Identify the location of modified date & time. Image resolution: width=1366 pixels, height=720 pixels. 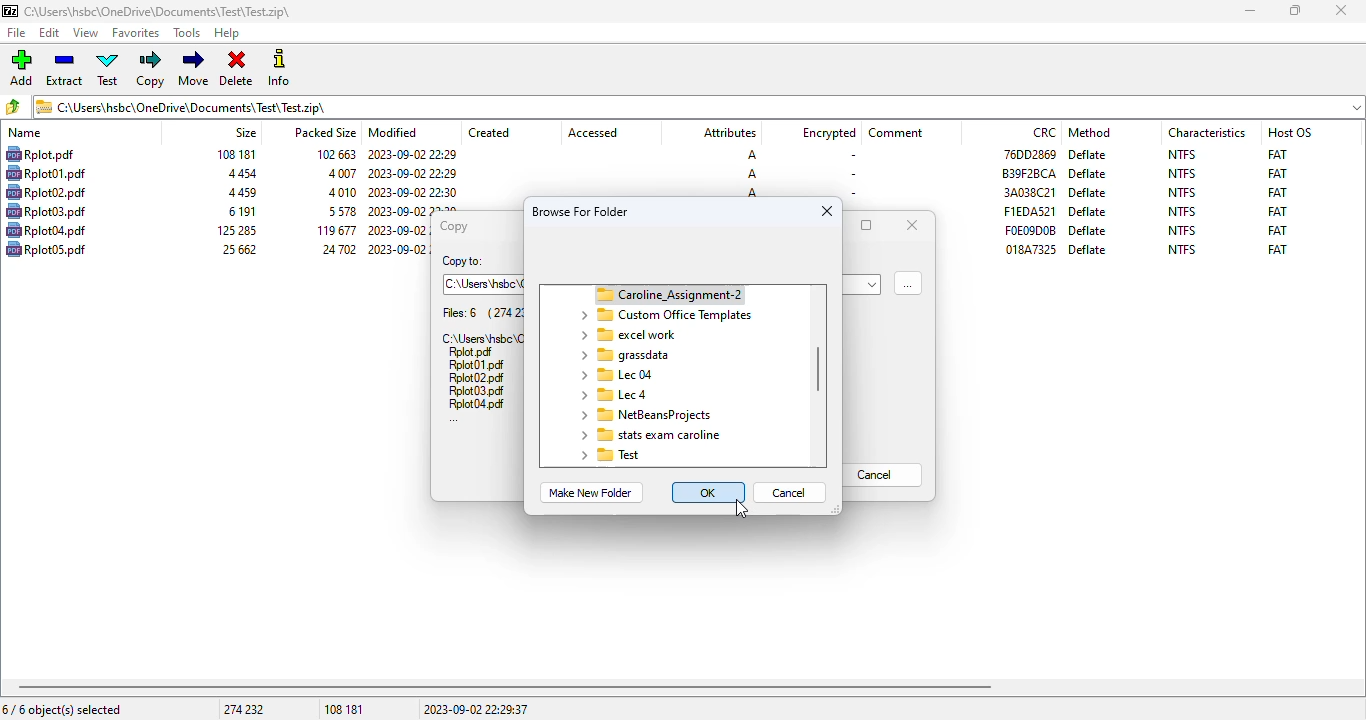
(414, 209).